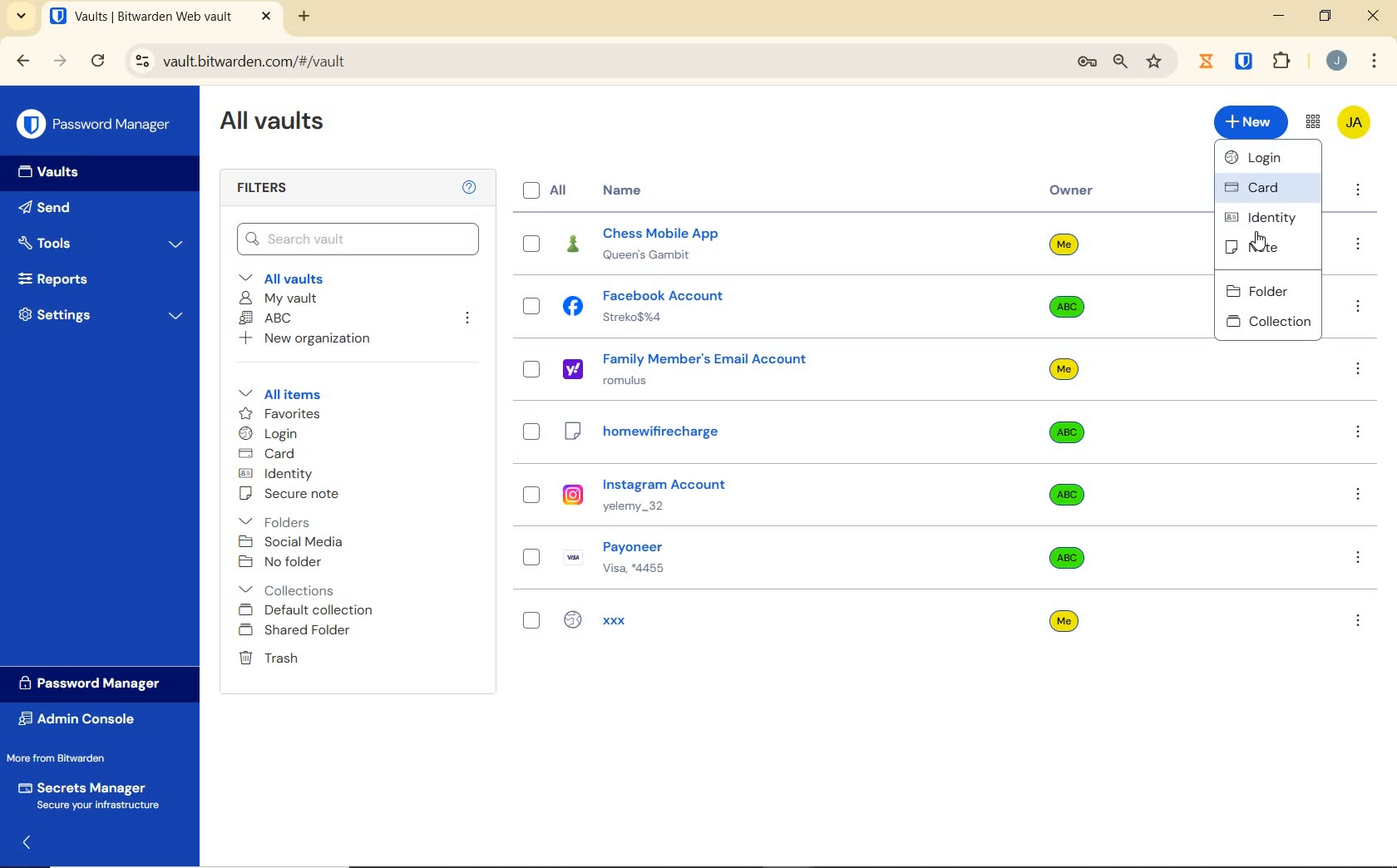  Describe the element at coordinates (1337, 62) in the screenshot. I see `Account` at that location.